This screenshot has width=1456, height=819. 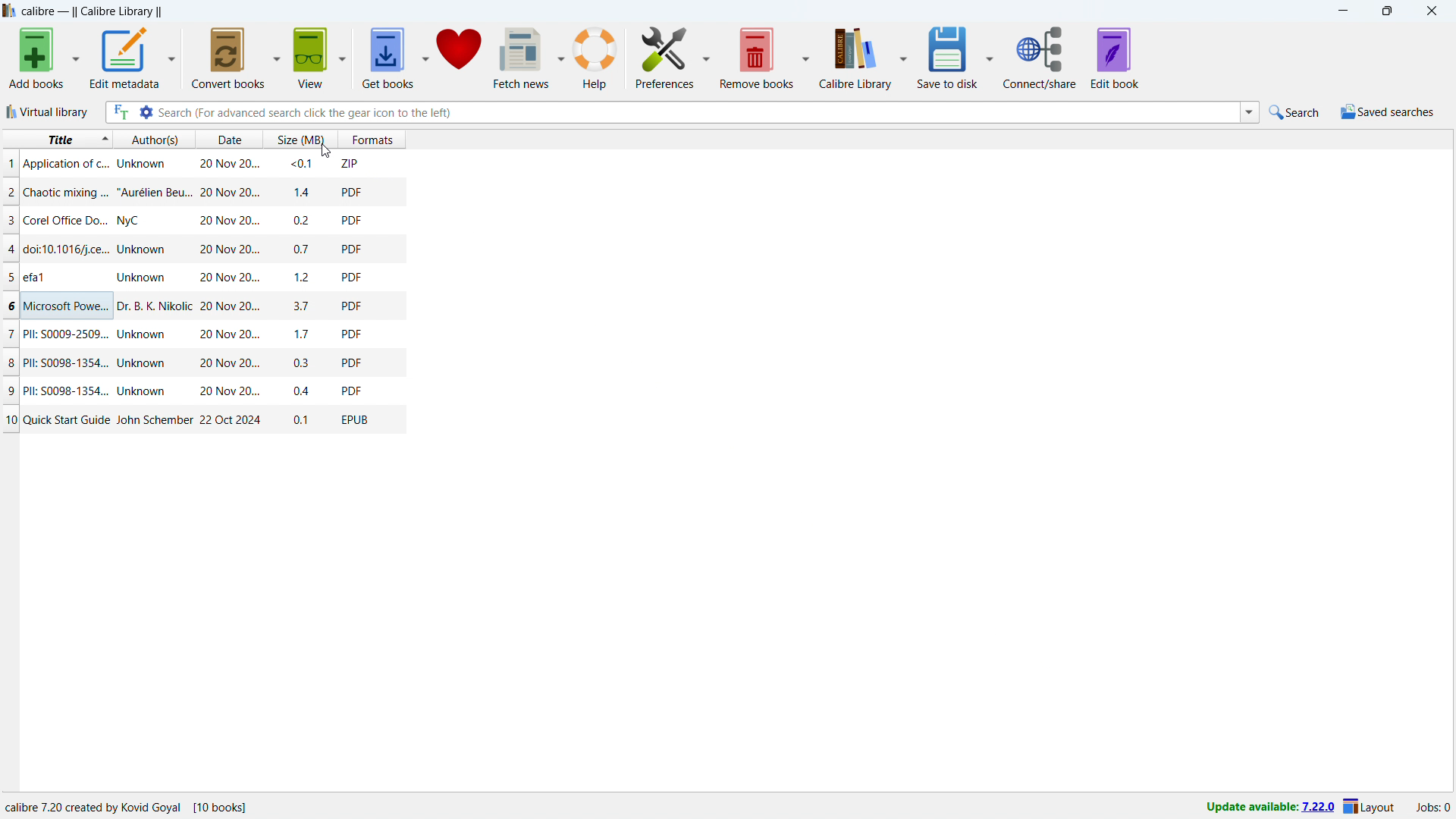 I want to click on size, so click(x=303, y=277).